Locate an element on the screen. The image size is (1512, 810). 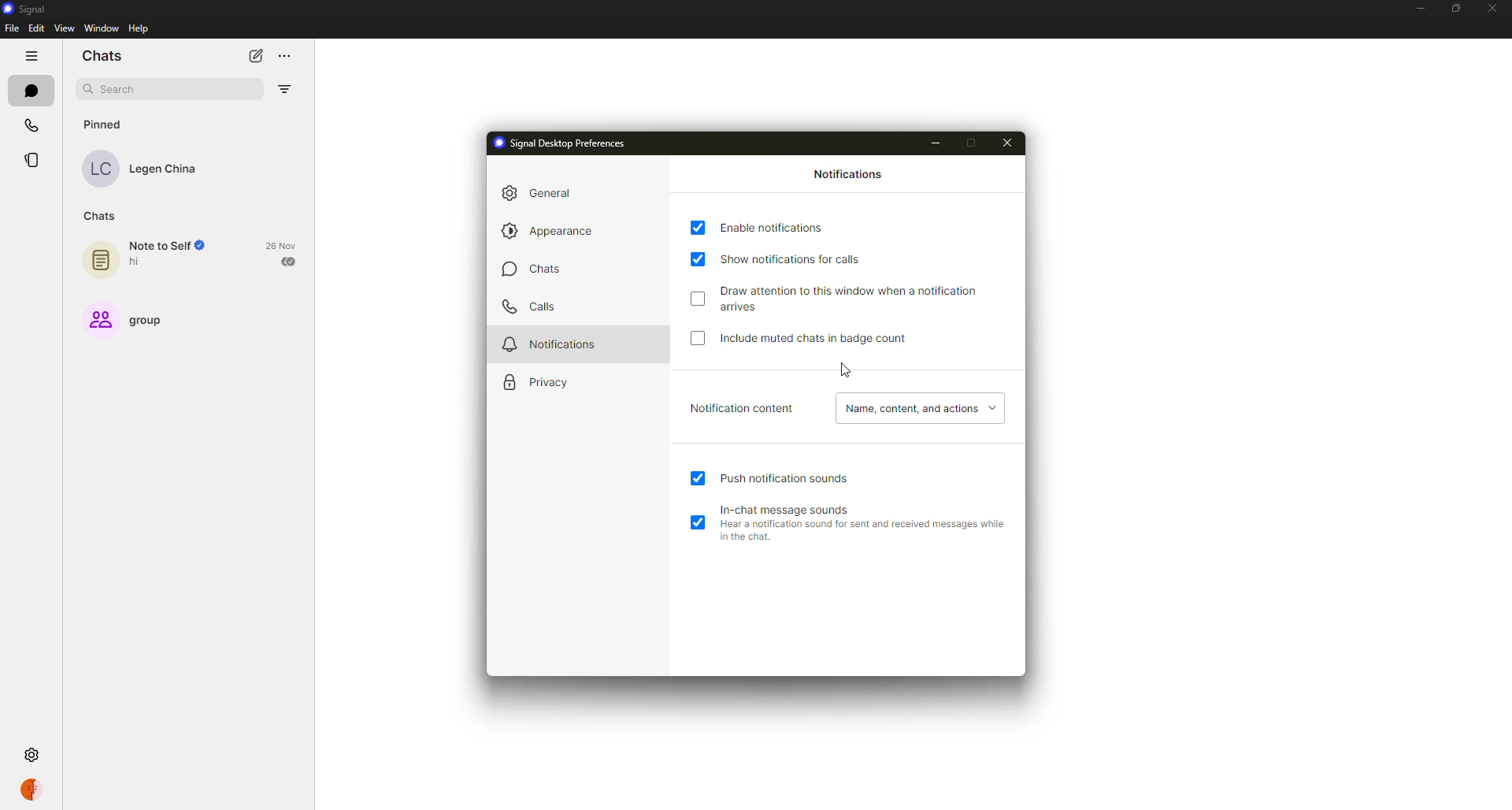
click to enable is located at coordinates (694, 337).